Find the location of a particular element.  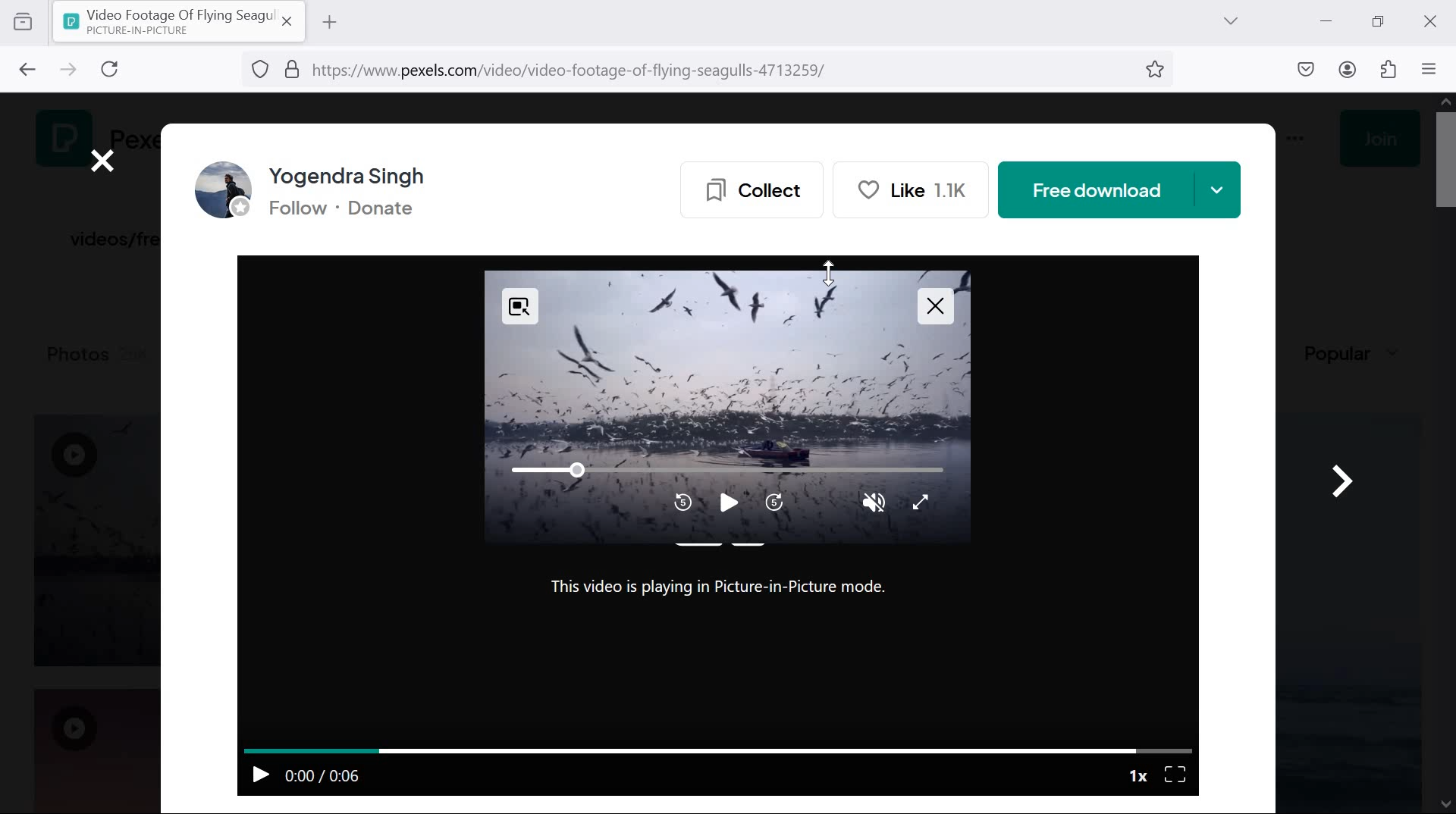

minimize is located at coordinates (1324, 19).